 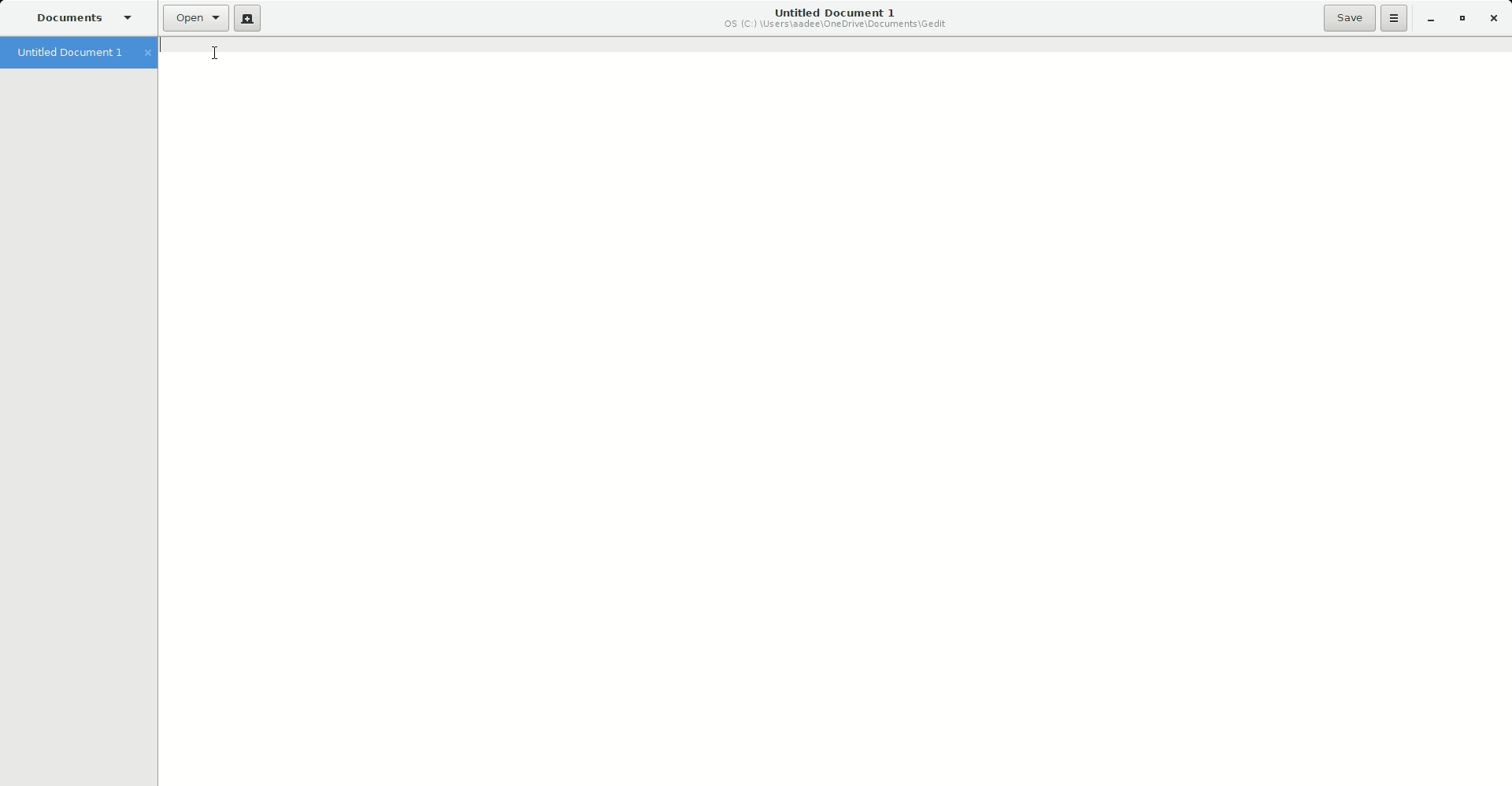 I want to click on Close, so click(x=1495, y=19).